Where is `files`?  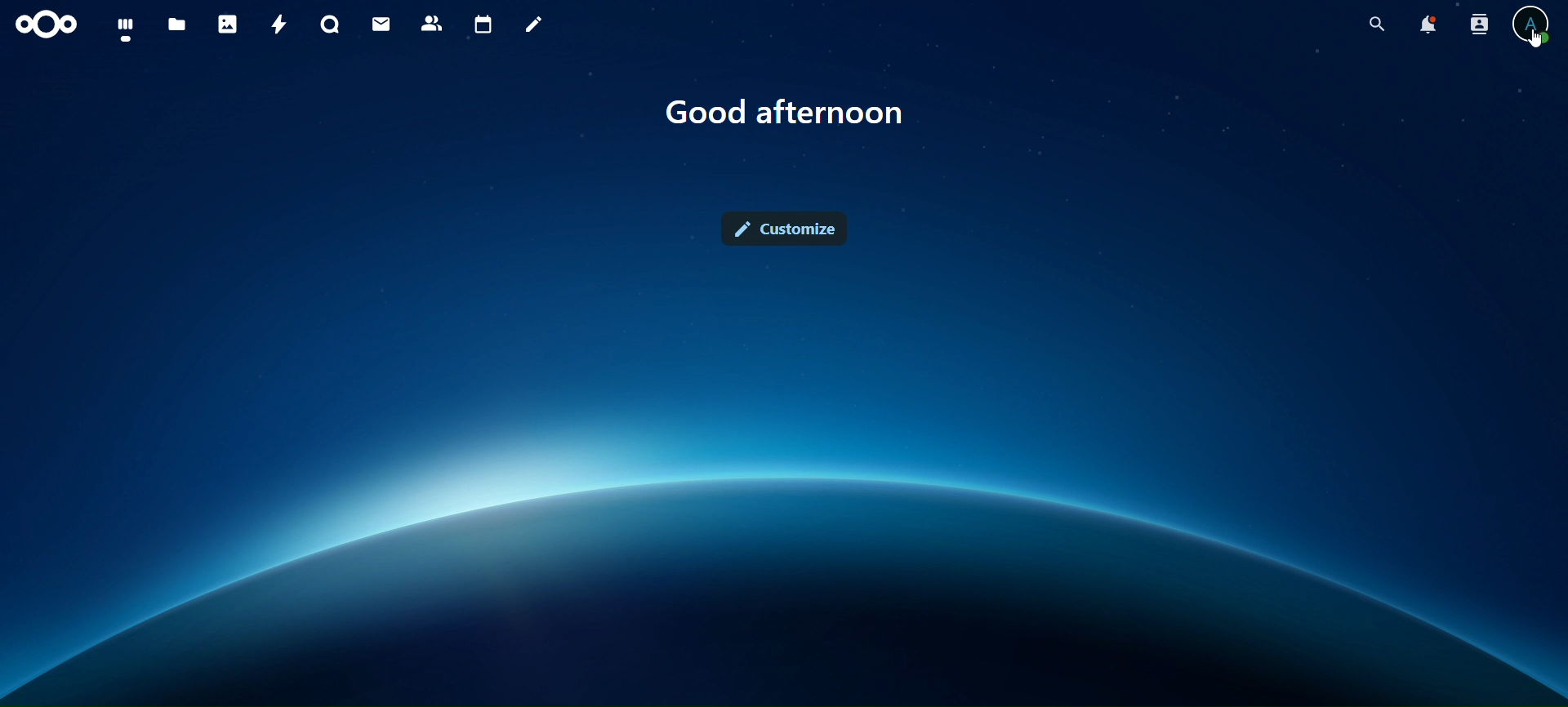 files is located at coordinates (176, 25).